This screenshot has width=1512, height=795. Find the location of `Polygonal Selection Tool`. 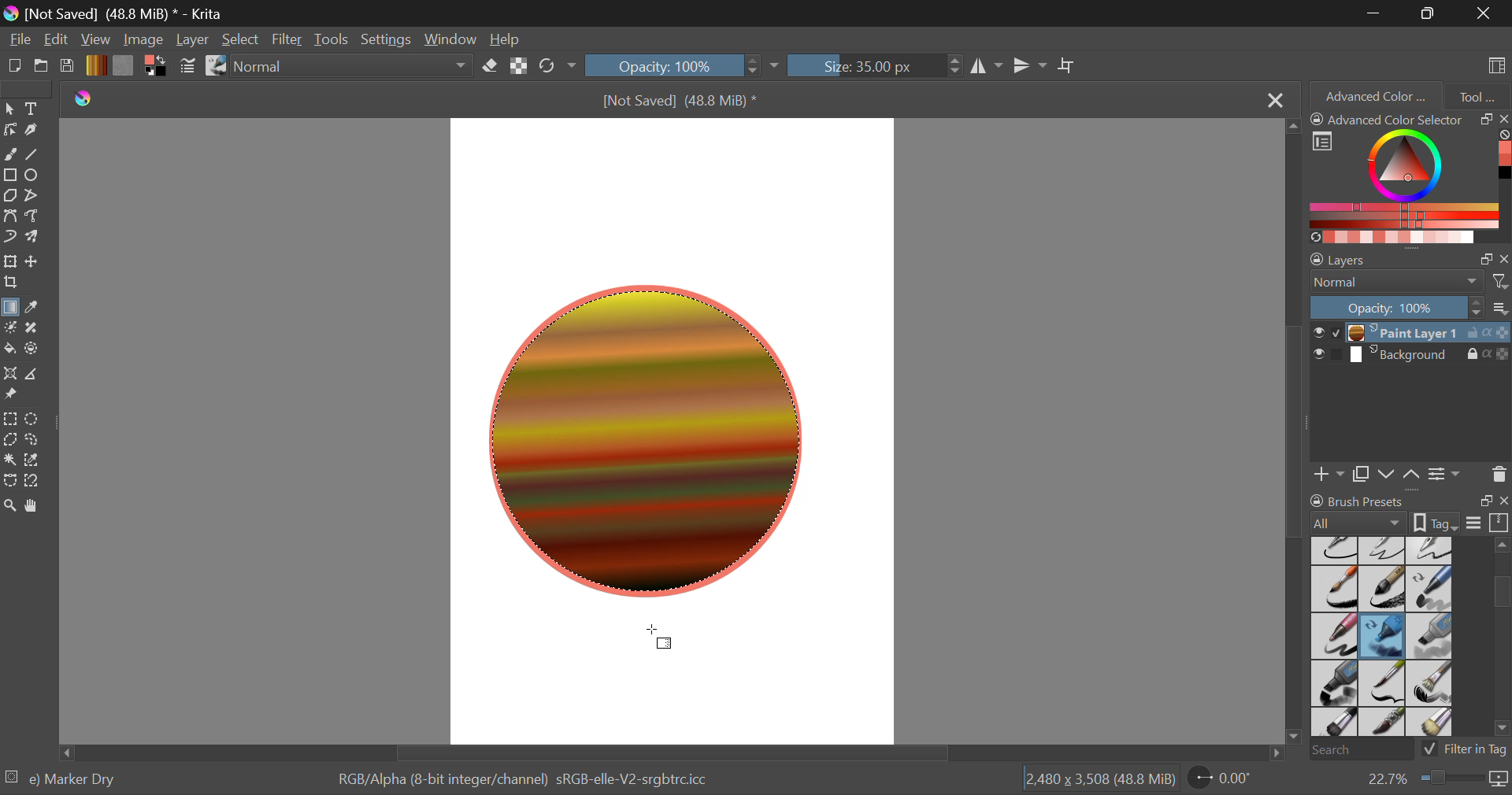

Polygonal Selection Tool is located at coordinates (10, 438).